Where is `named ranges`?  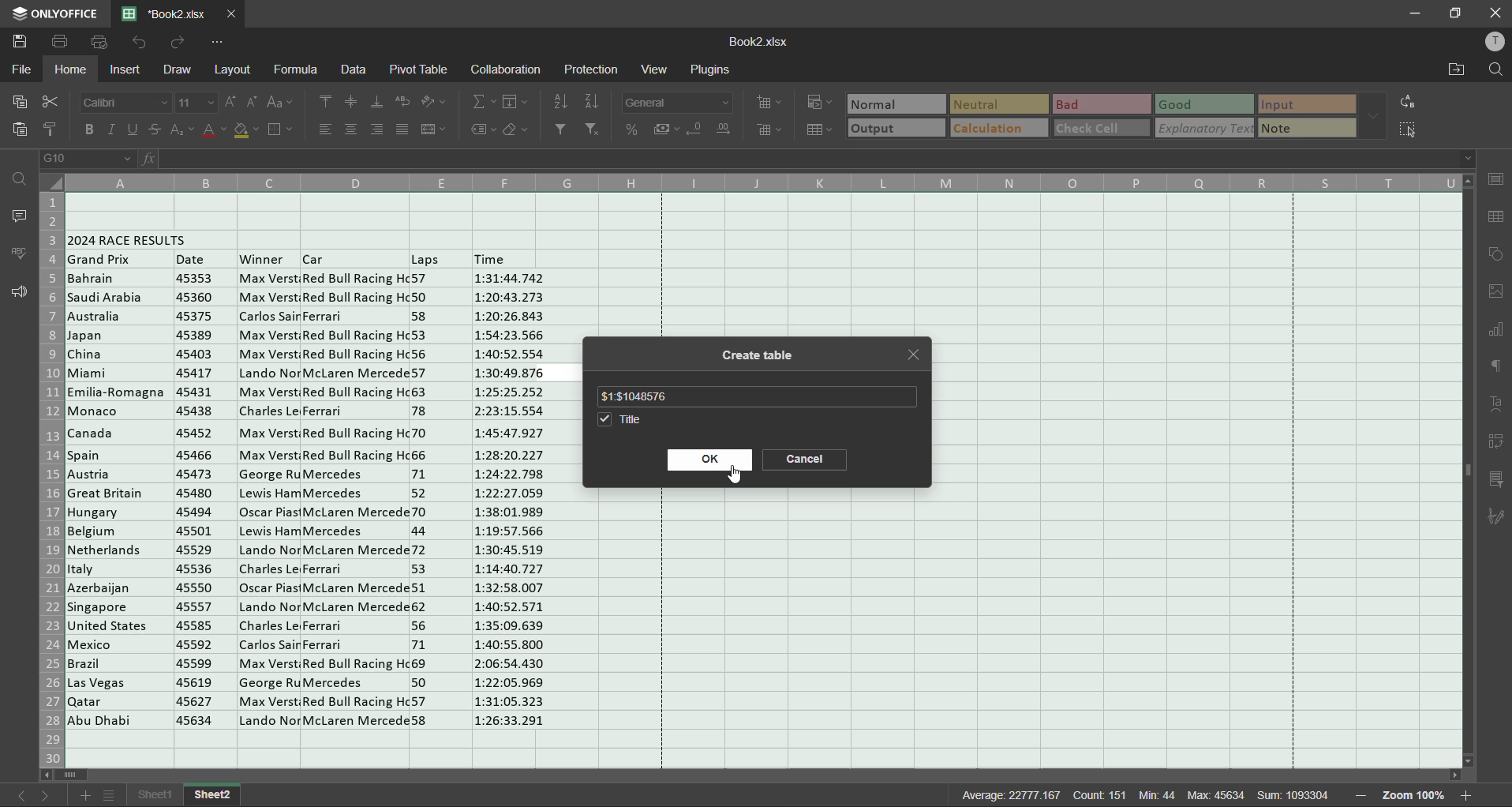 named ranges is located at coordinates (485, 129).